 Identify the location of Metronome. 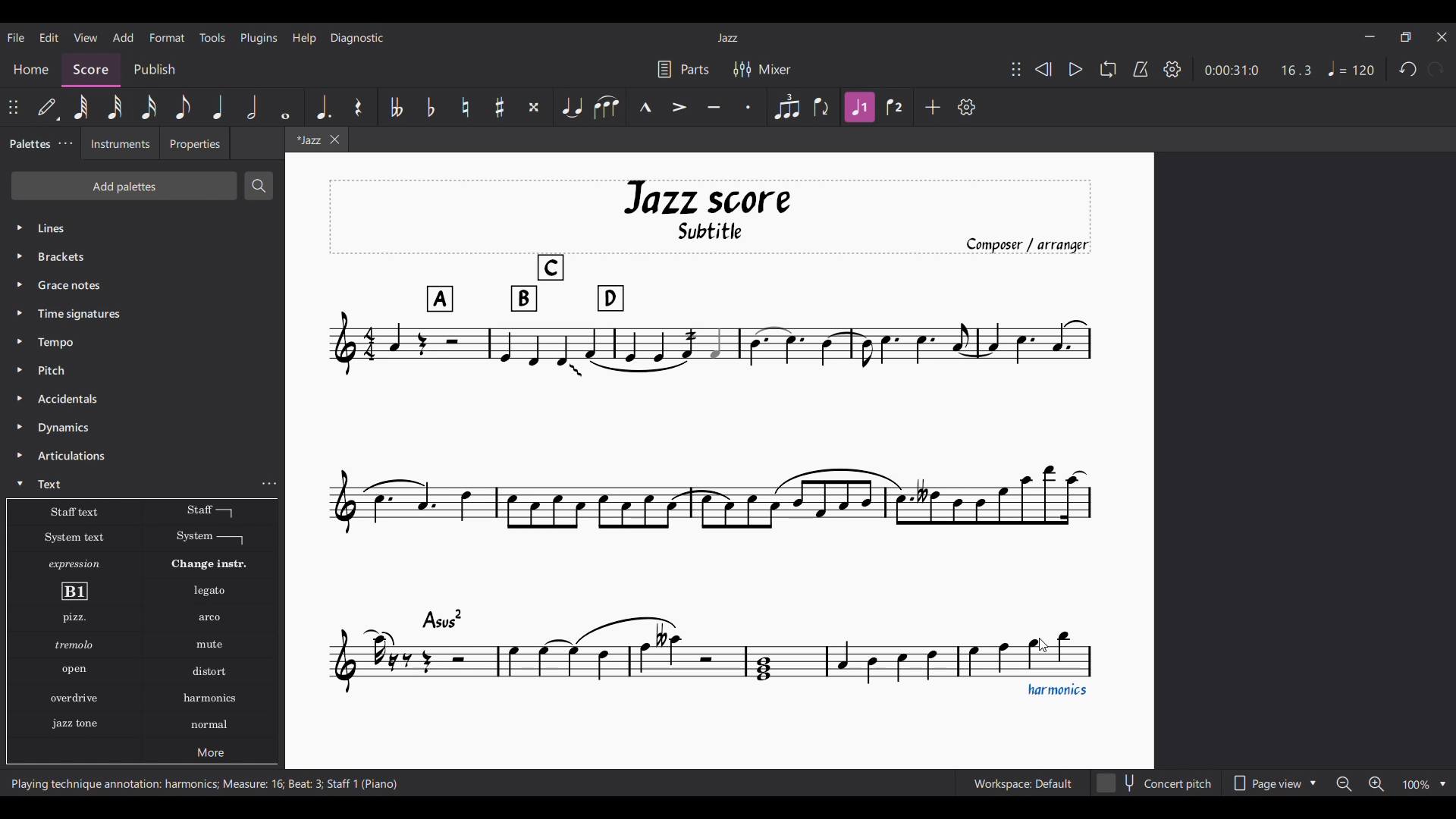
(1141, 69).